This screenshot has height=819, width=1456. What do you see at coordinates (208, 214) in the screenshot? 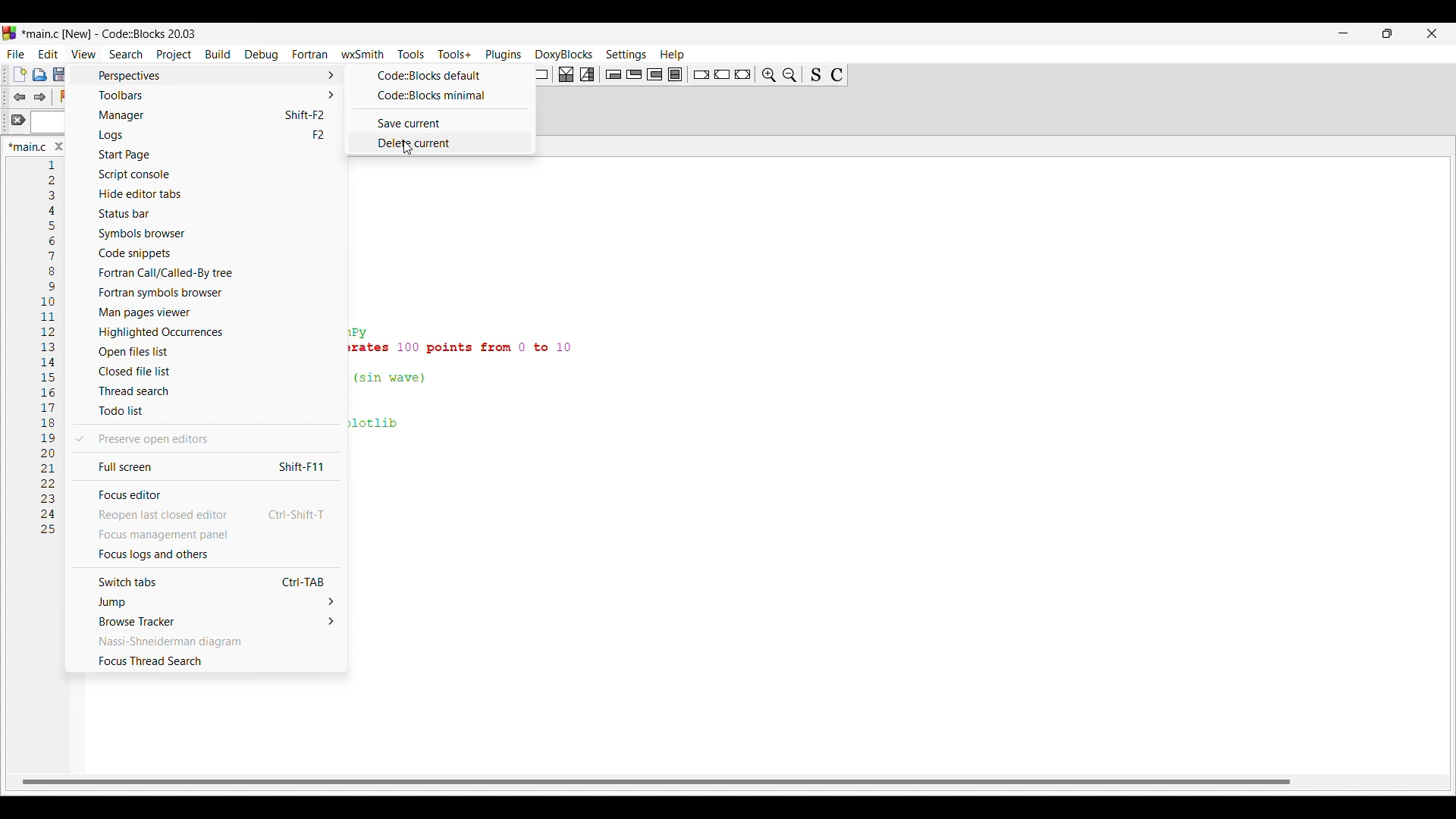
I see `Status bar` at bounding box center [208, 214].